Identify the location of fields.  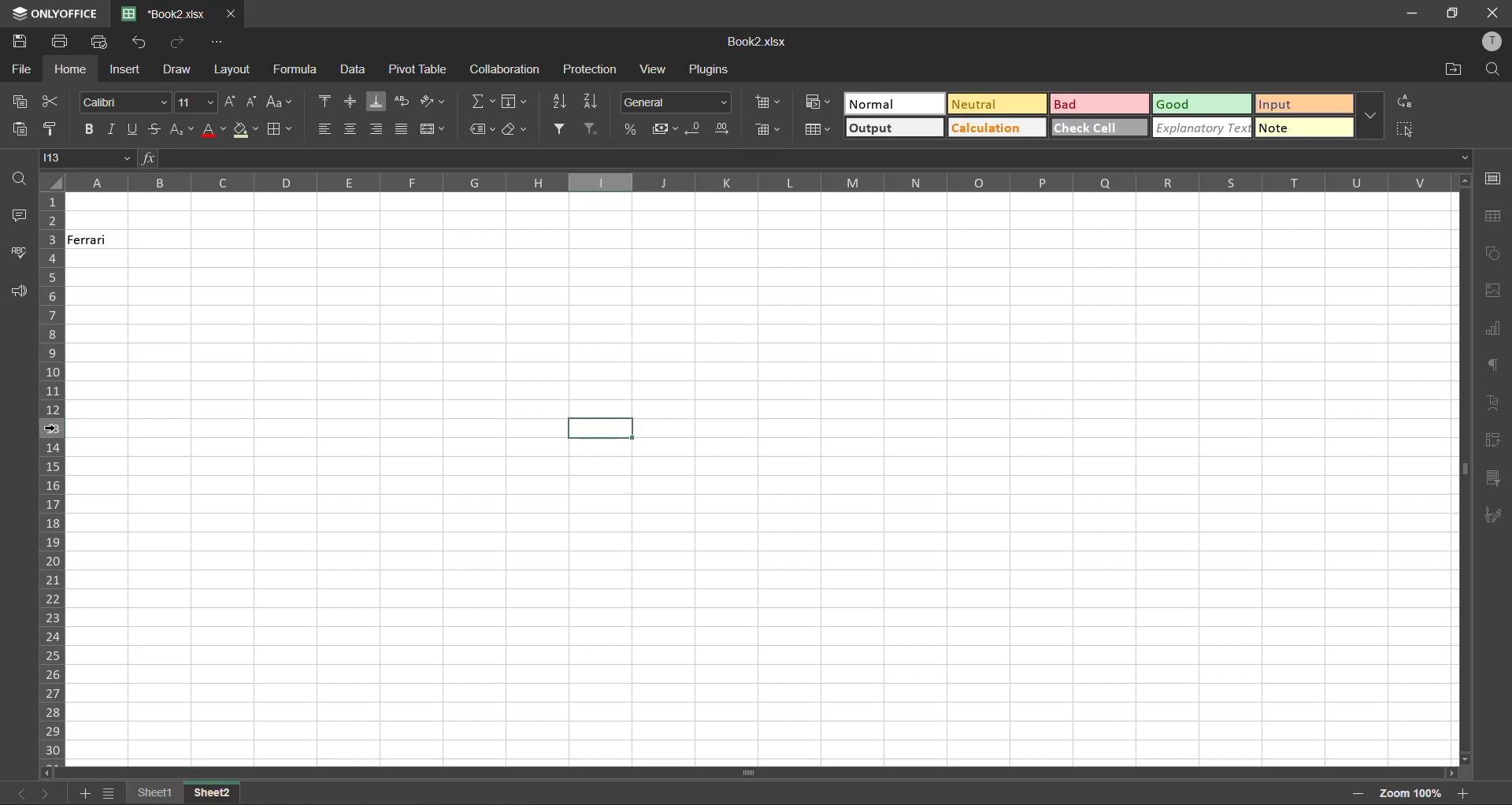
(514, 103).